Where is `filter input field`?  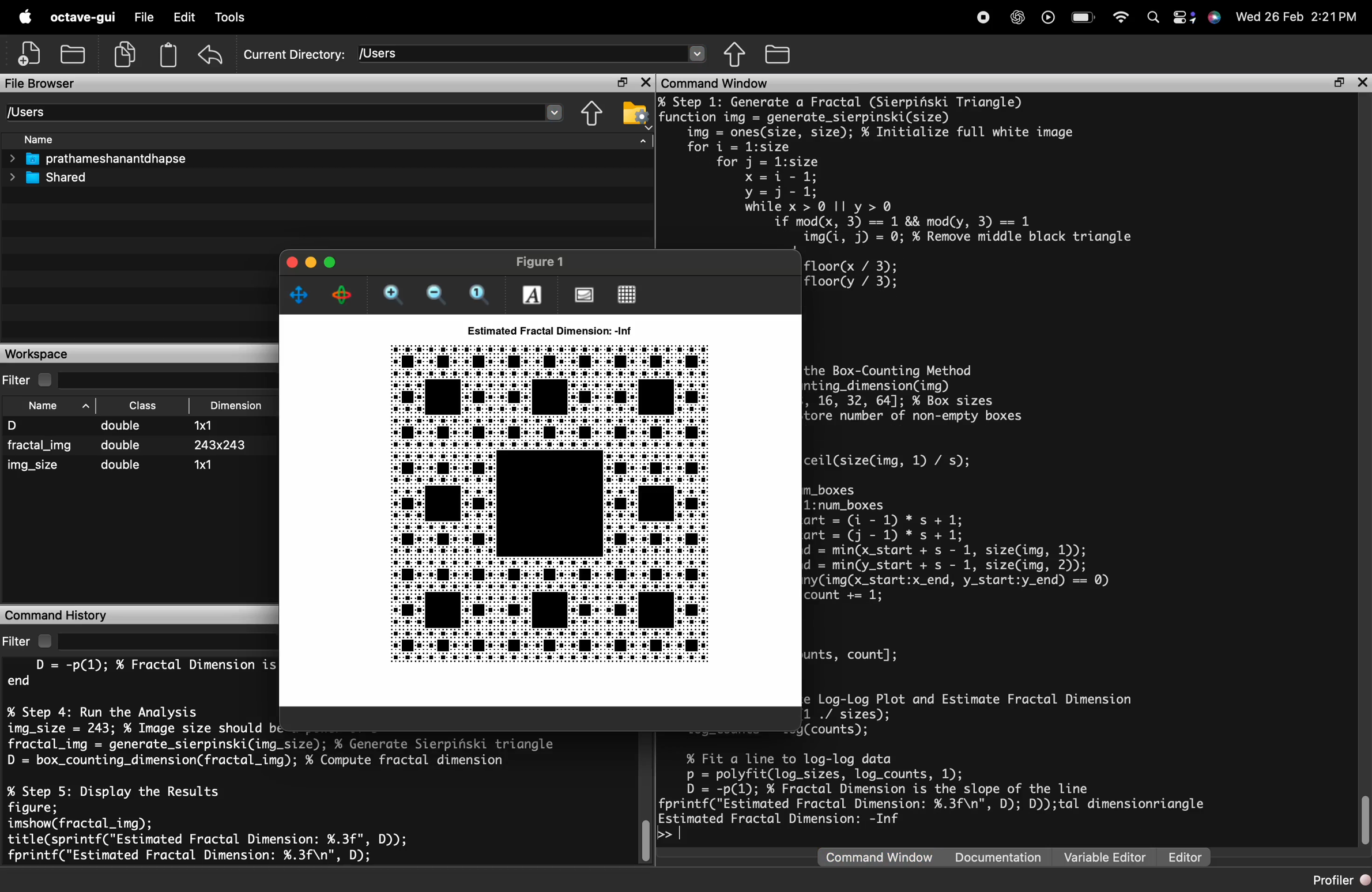 filter input field is located at coordinates (160, 639).